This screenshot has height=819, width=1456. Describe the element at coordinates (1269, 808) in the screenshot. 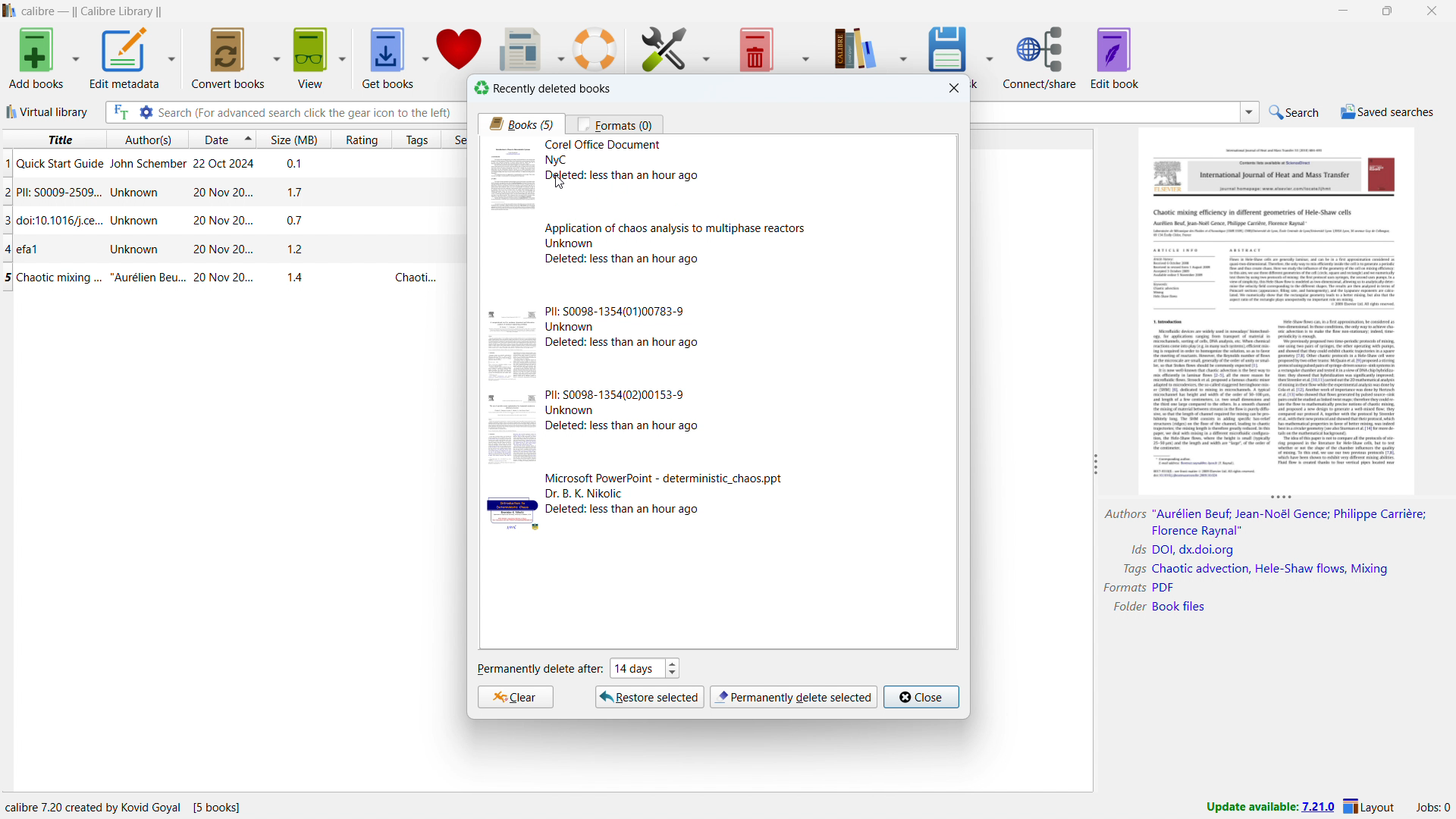

I see `update` at that location.